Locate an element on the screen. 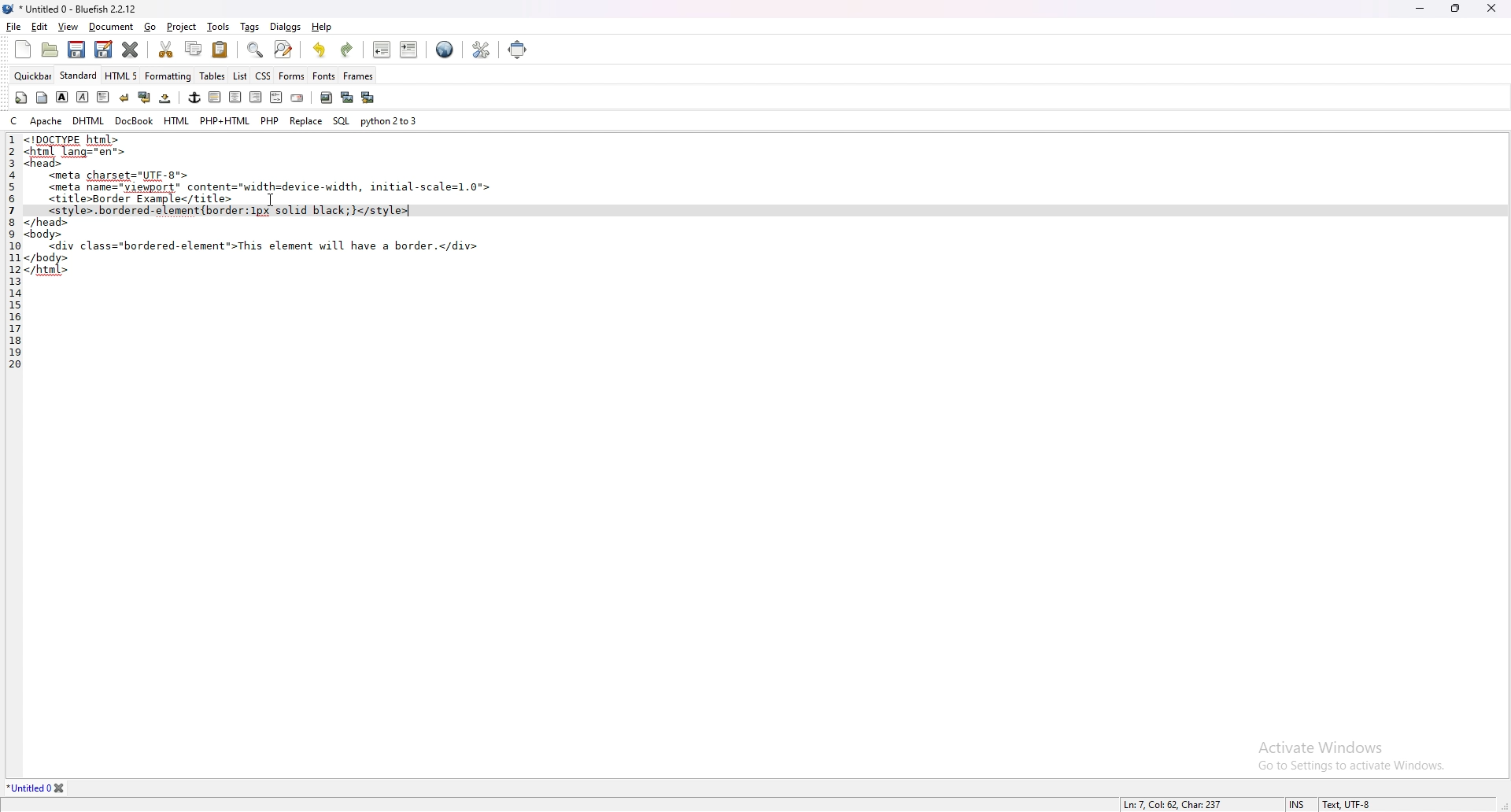 This screenshot has height=812, width=1511. center justify is located at coordinates (236, 97).